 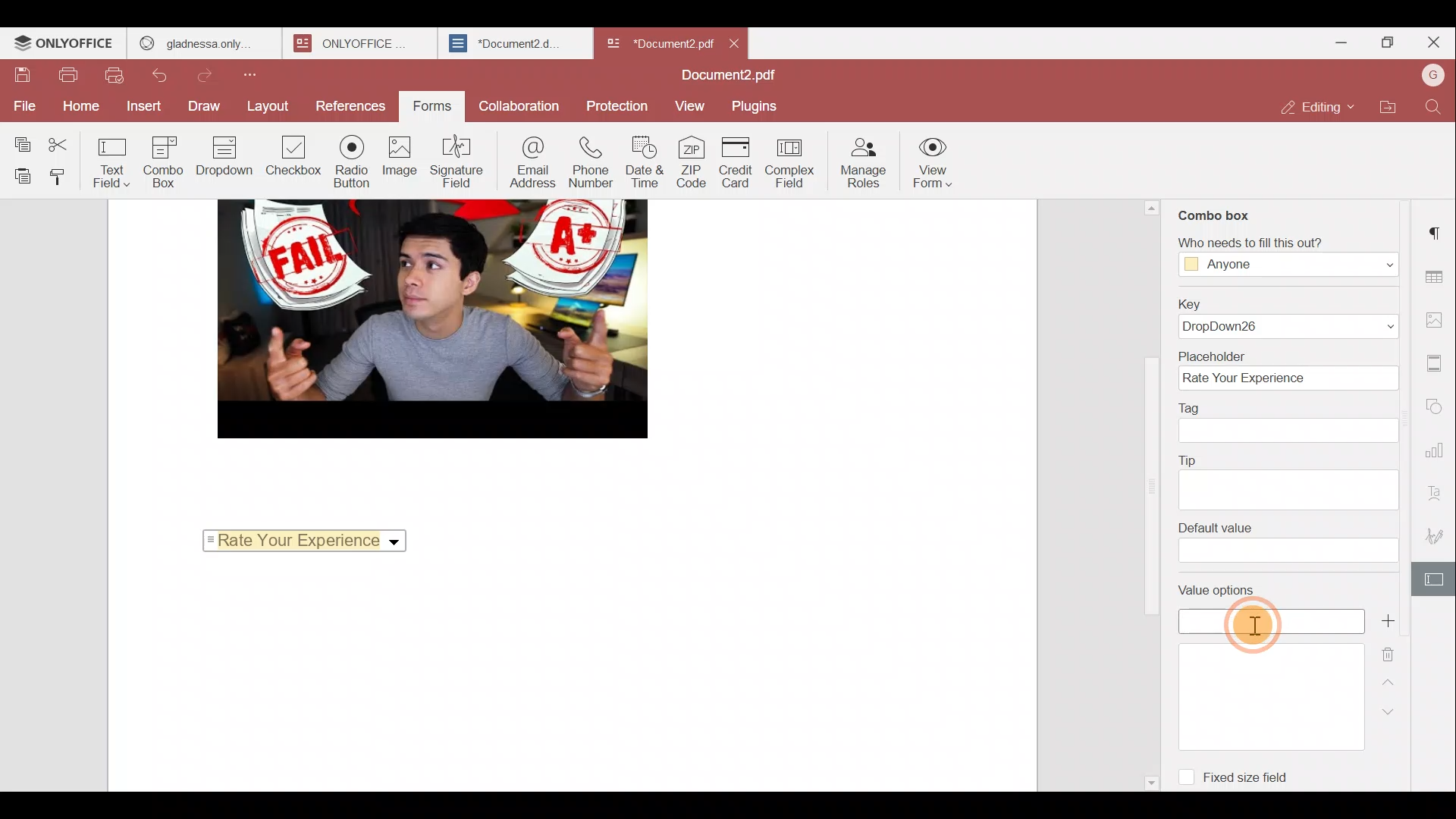 I want to click on Email address, so click(x=531, y=162).